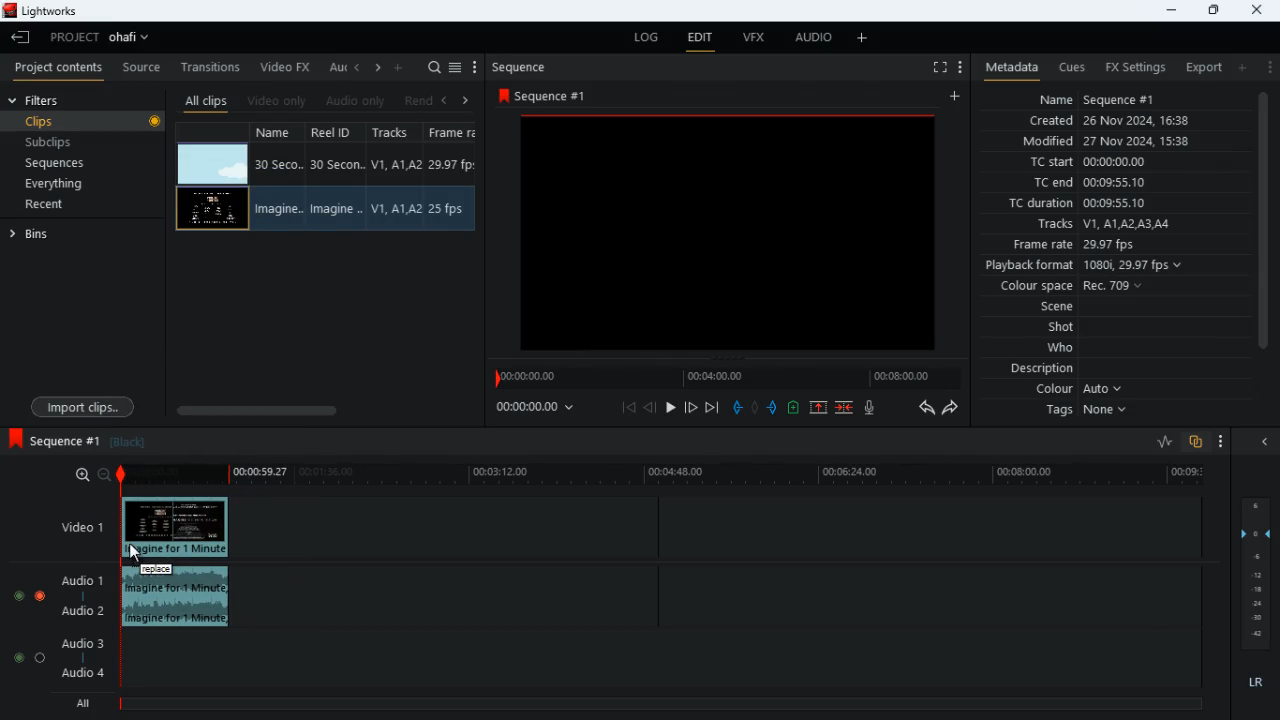 This screenshot has height=720, width=1280. I want to click on mic, so click(874, 409).